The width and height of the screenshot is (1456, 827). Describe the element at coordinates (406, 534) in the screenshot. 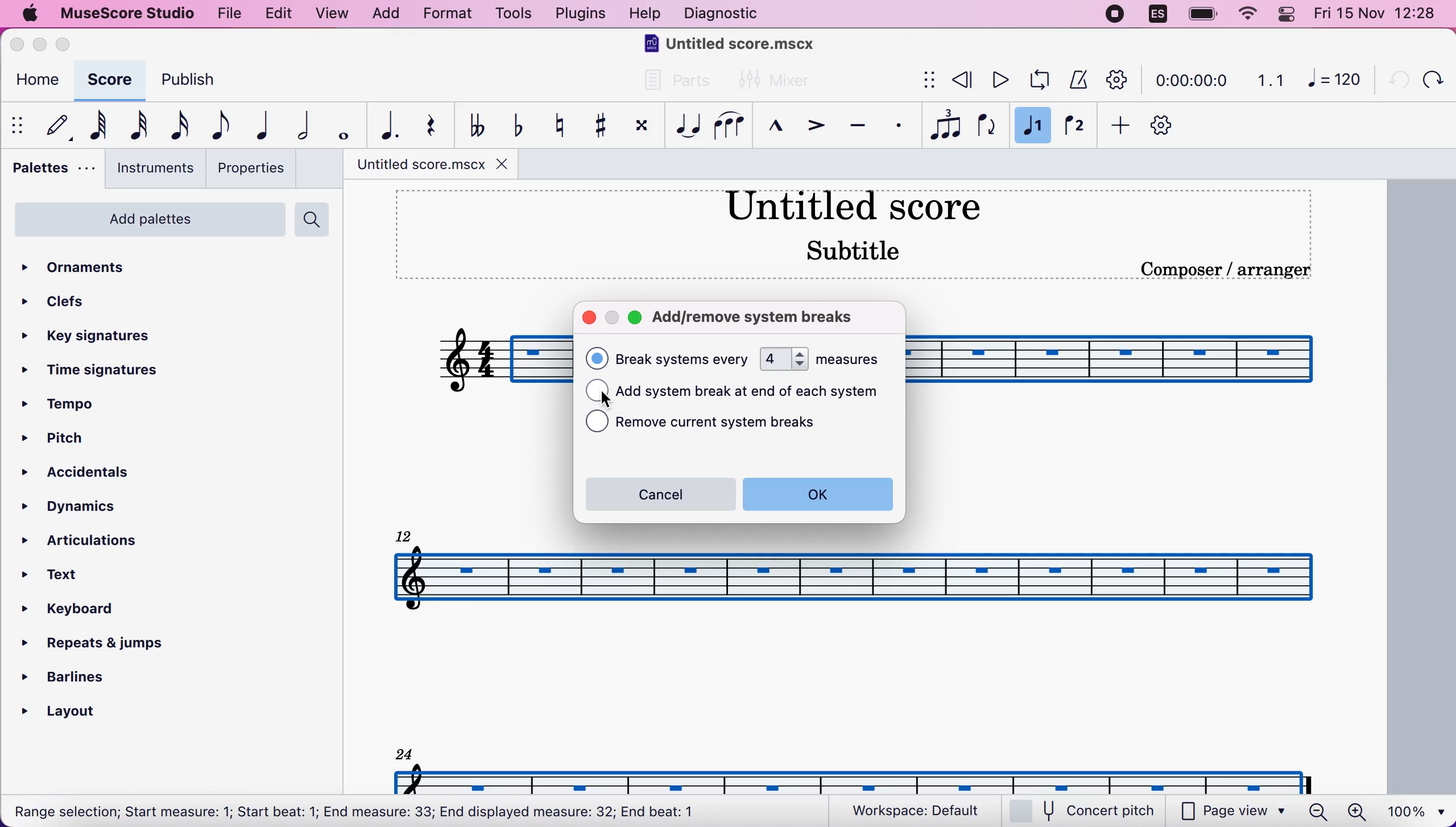

I see `12` at that location.